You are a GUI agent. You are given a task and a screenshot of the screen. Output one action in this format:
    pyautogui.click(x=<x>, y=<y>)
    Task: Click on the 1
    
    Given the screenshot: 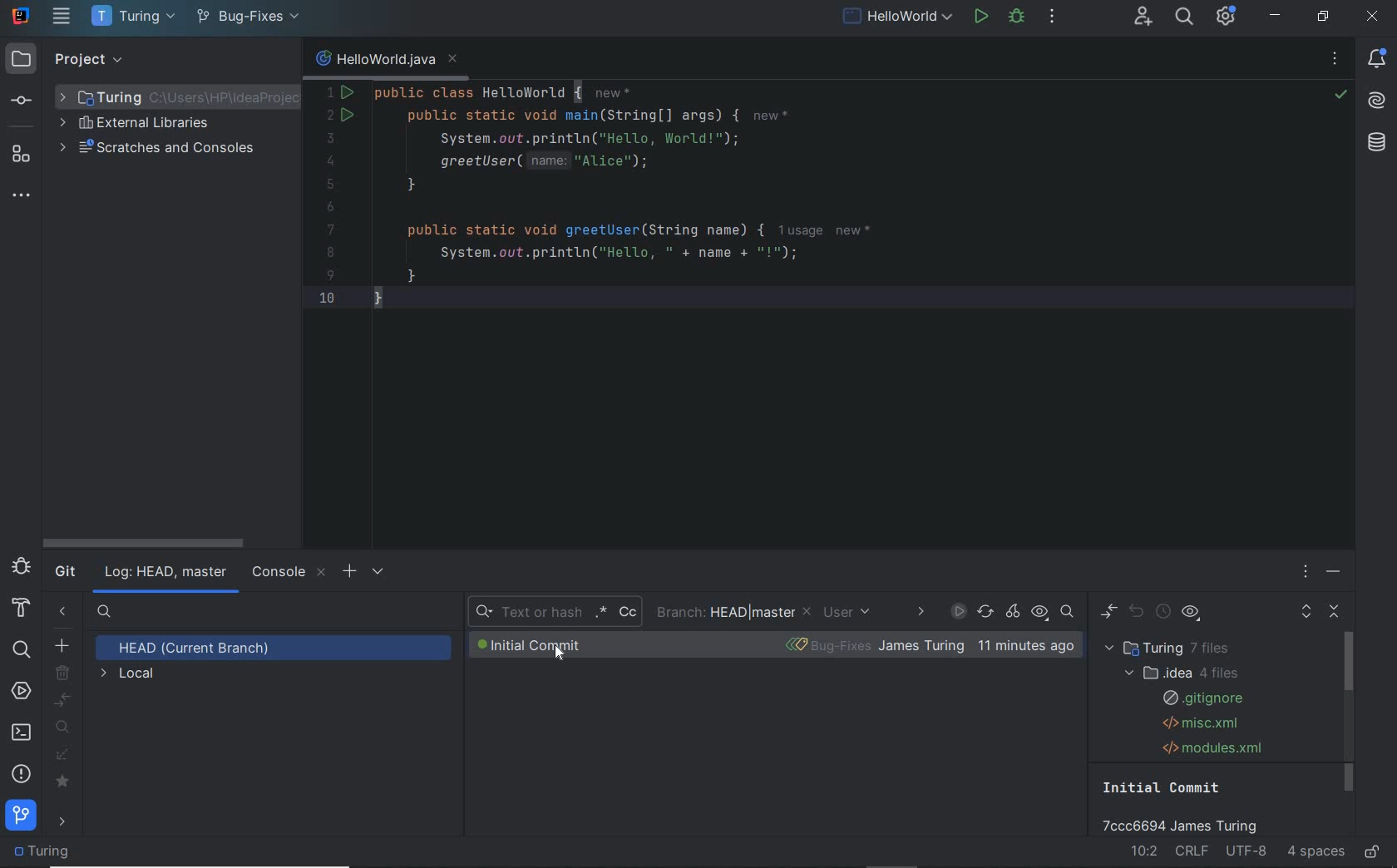 What is the action you would take?
    pyautogui.click(x=332, y=92)
    